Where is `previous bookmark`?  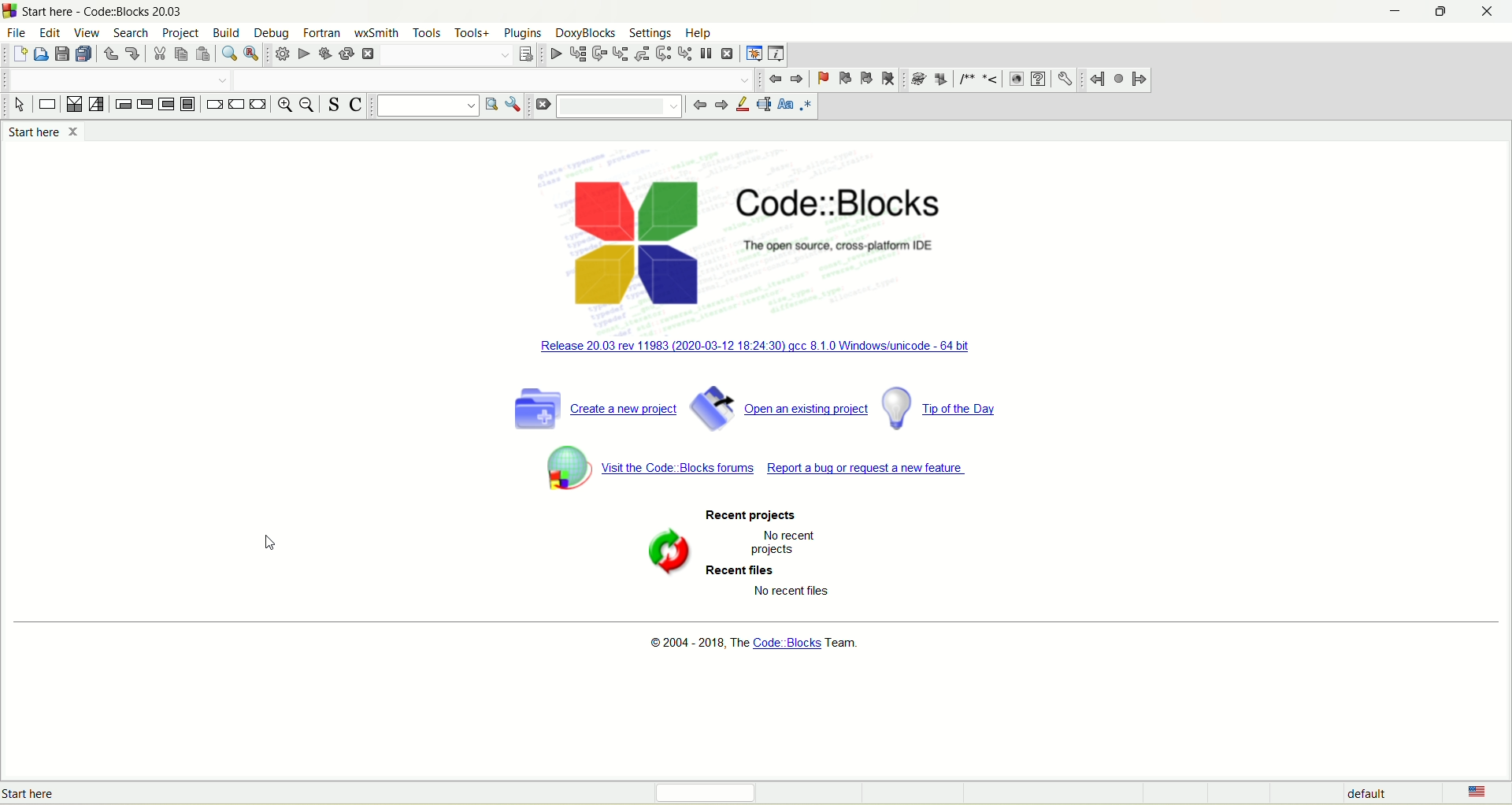 previous bookmark is located at coordinates (844, 78).